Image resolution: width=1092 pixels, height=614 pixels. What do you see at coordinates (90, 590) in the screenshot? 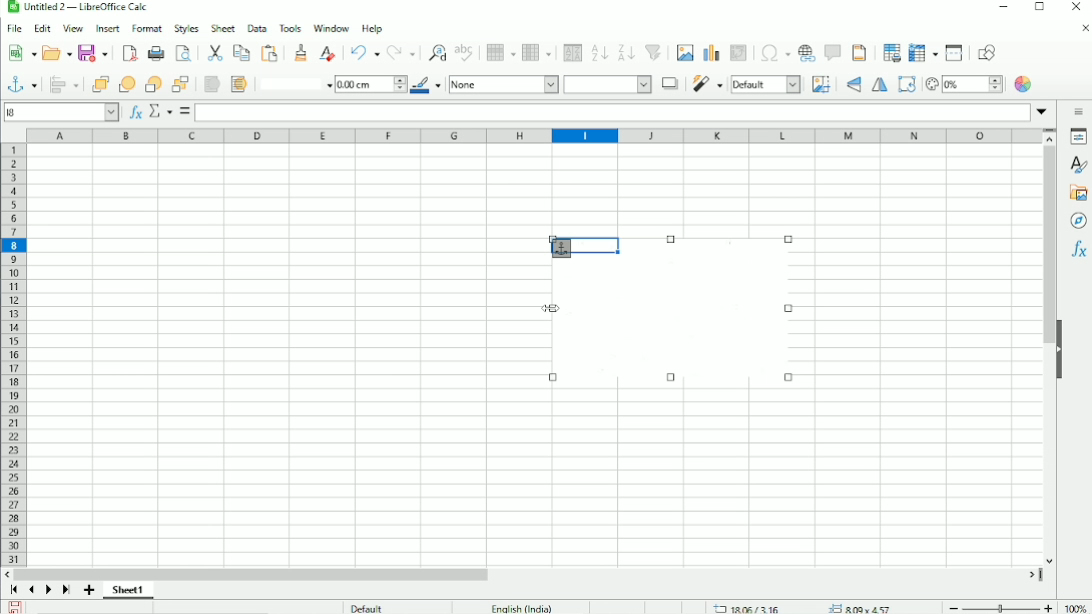
I see `Add sheet` at bounding box center [90, 590].